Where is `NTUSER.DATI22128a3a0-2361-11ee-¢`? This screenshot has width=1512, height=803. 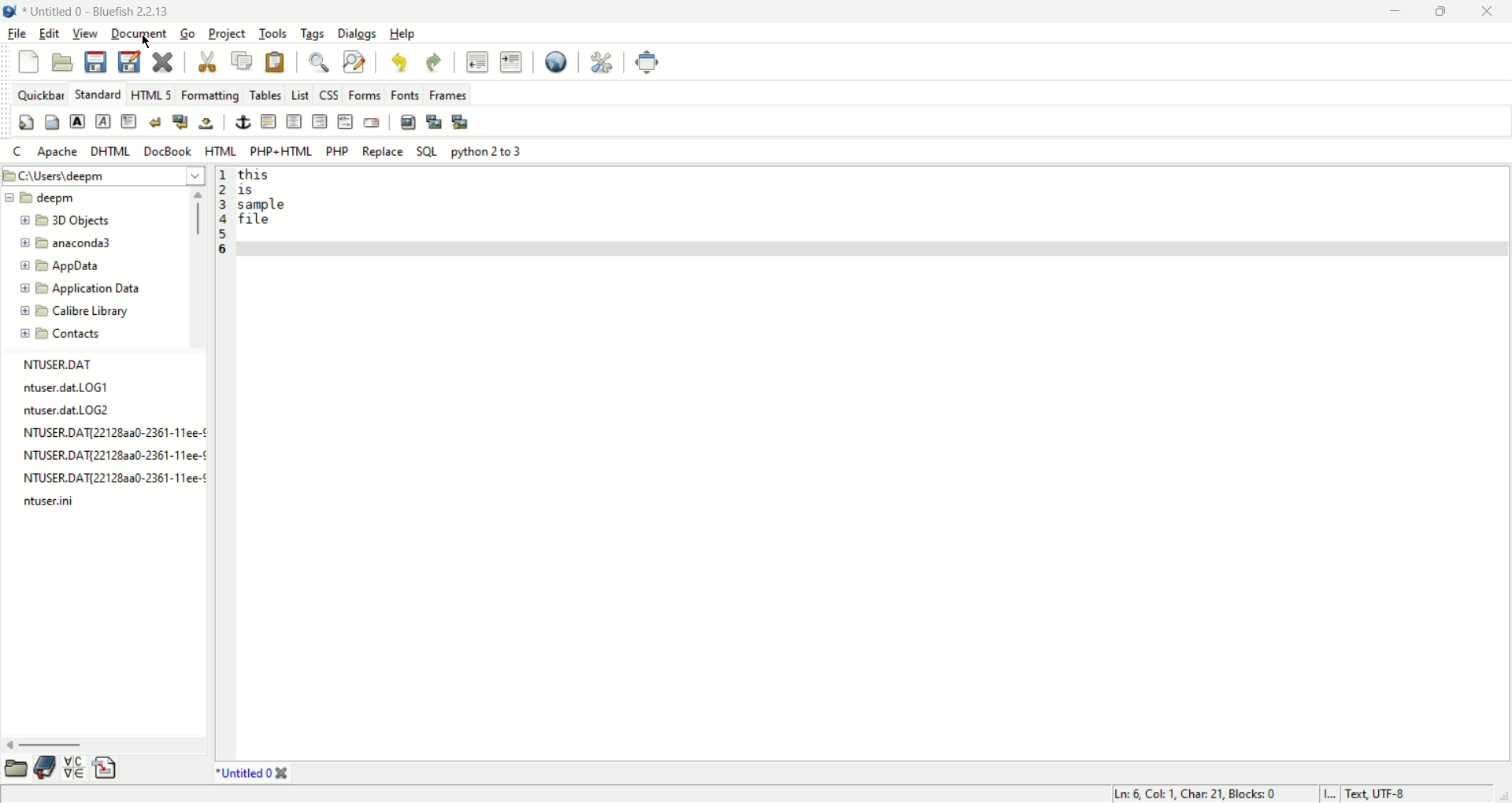
NTUSER.DATI22128a3a0-2361-11ee-¢ is located at coordinates (114, 430).